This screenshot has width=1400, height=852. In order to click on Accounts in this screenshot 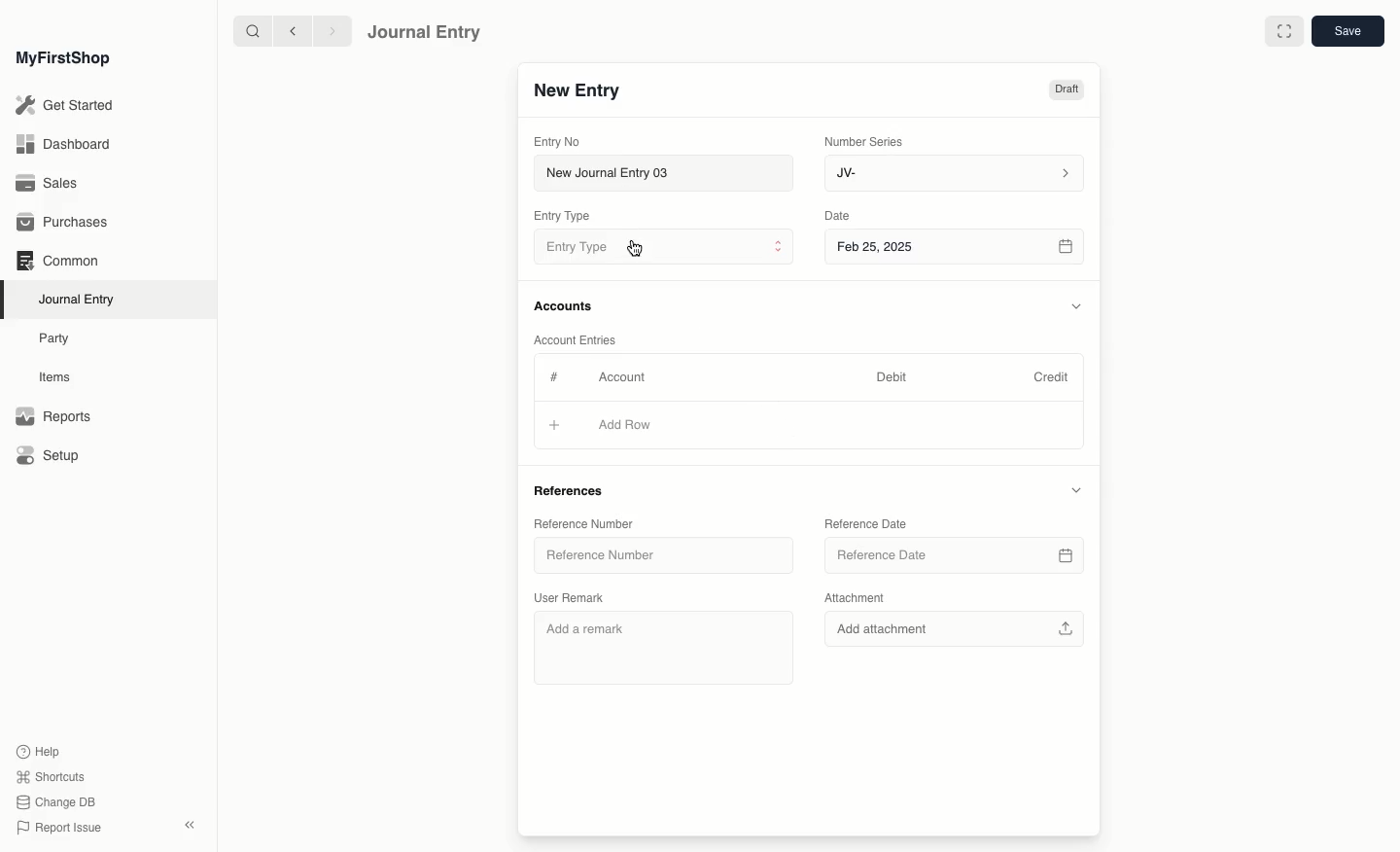, I will do `click(565, 306)`.